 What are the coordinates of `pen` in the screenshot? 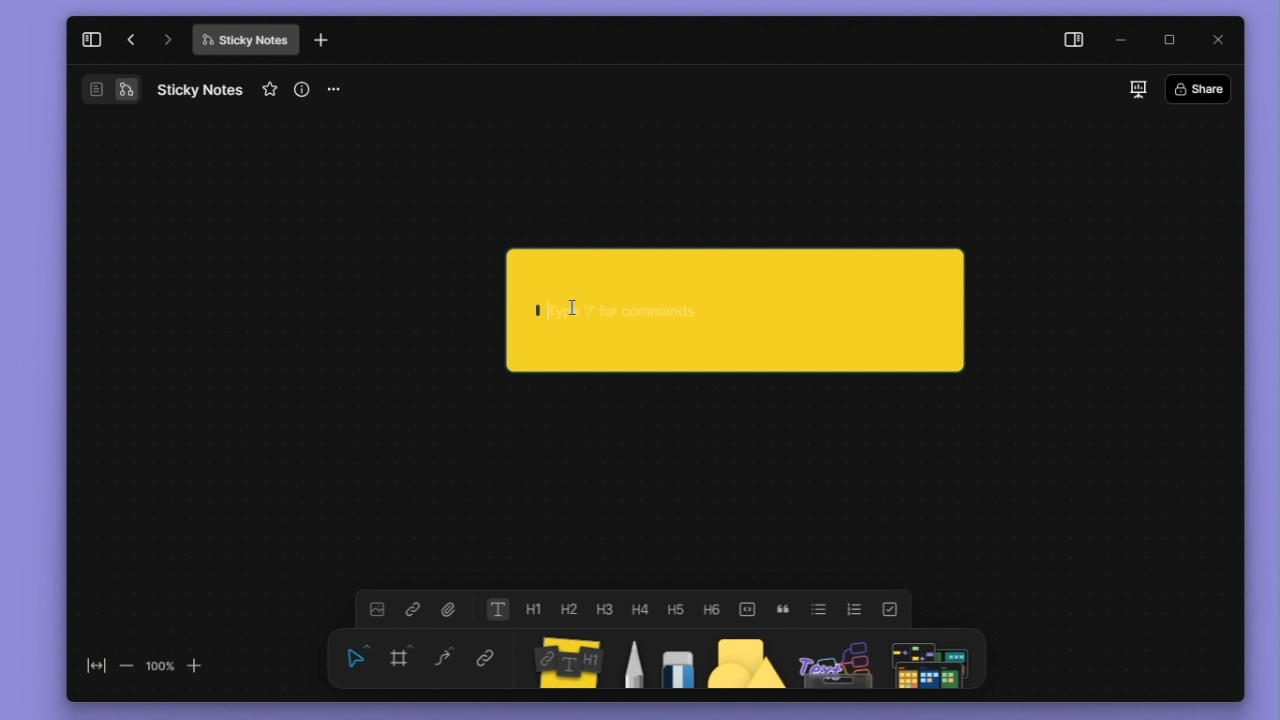 It's located at (637, 661).